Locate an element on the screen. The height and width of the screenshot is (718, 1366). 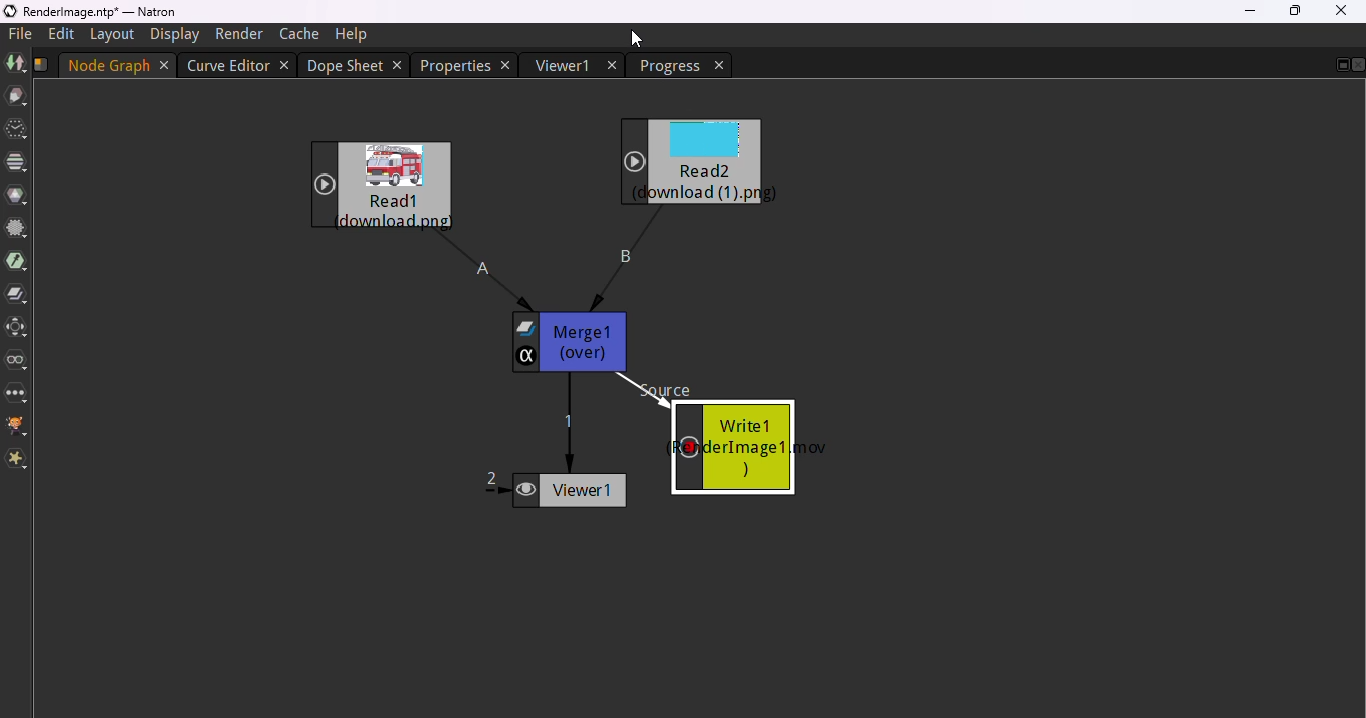
file is located at coordinates (21, 34).